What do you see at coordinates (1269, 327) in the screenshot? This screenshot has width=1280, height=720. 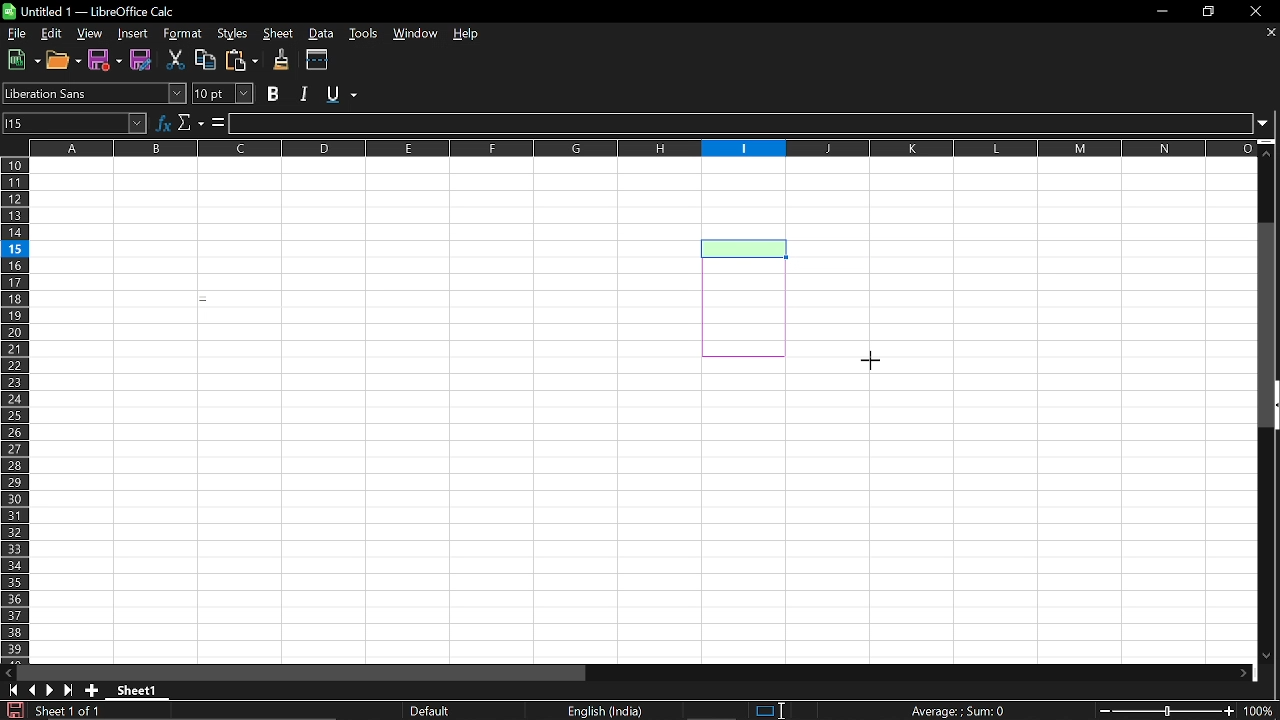 I see `Vertical scrollbar` at bounding box center [1269, 327].